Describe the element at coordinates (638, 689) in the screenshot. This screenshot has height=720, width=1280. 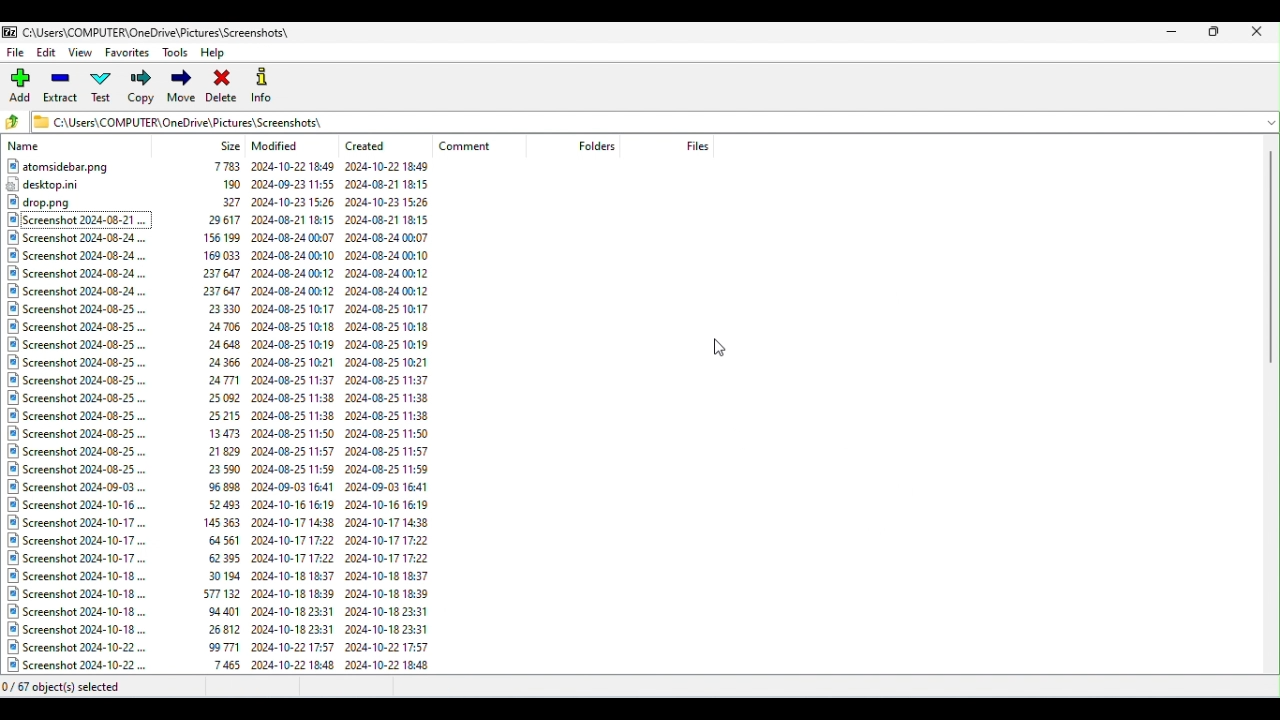
I see `Status bar` at that location.